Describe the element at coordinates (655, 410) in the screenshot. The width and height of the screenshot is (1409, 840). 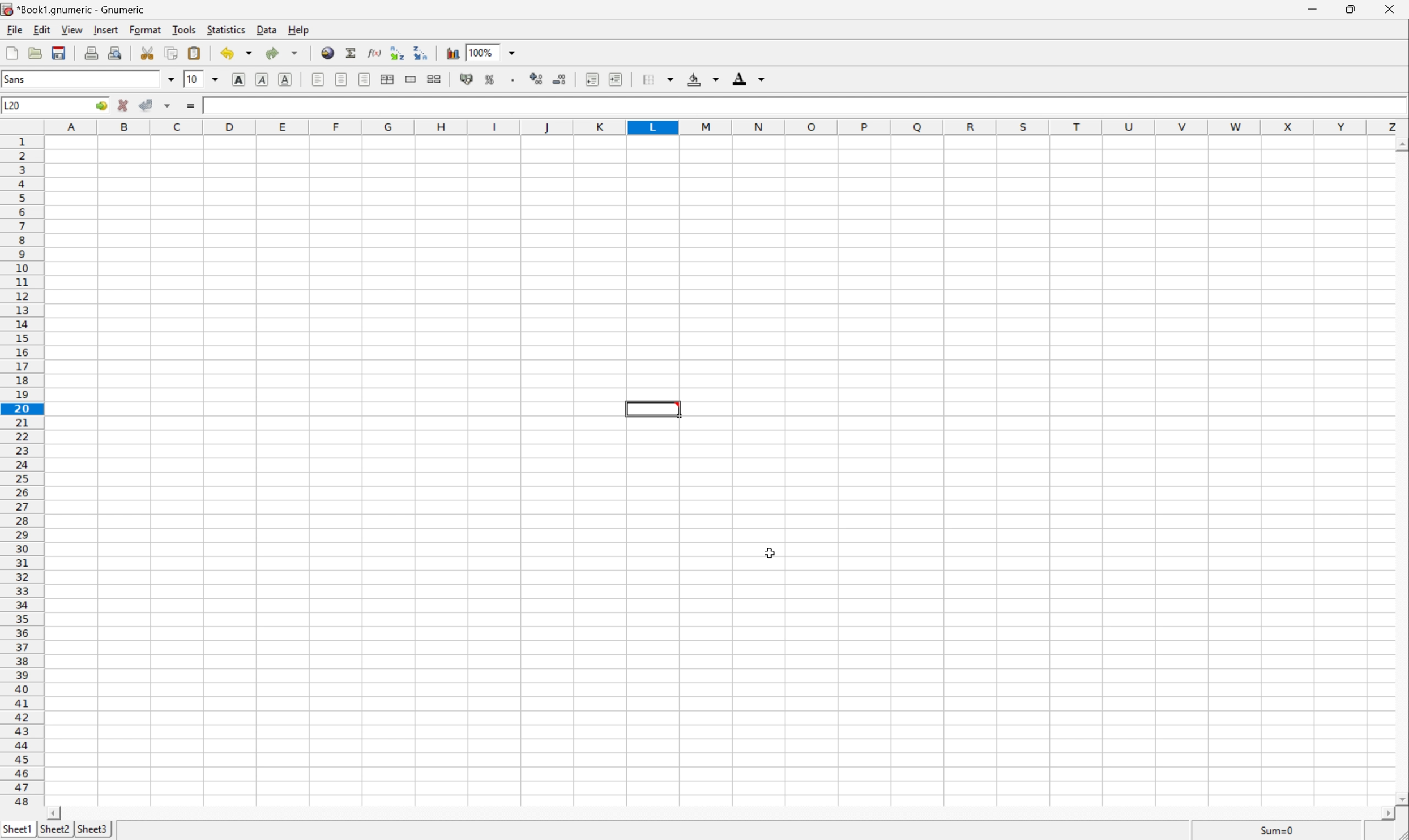
I see `Tool tip inserted` at that location.